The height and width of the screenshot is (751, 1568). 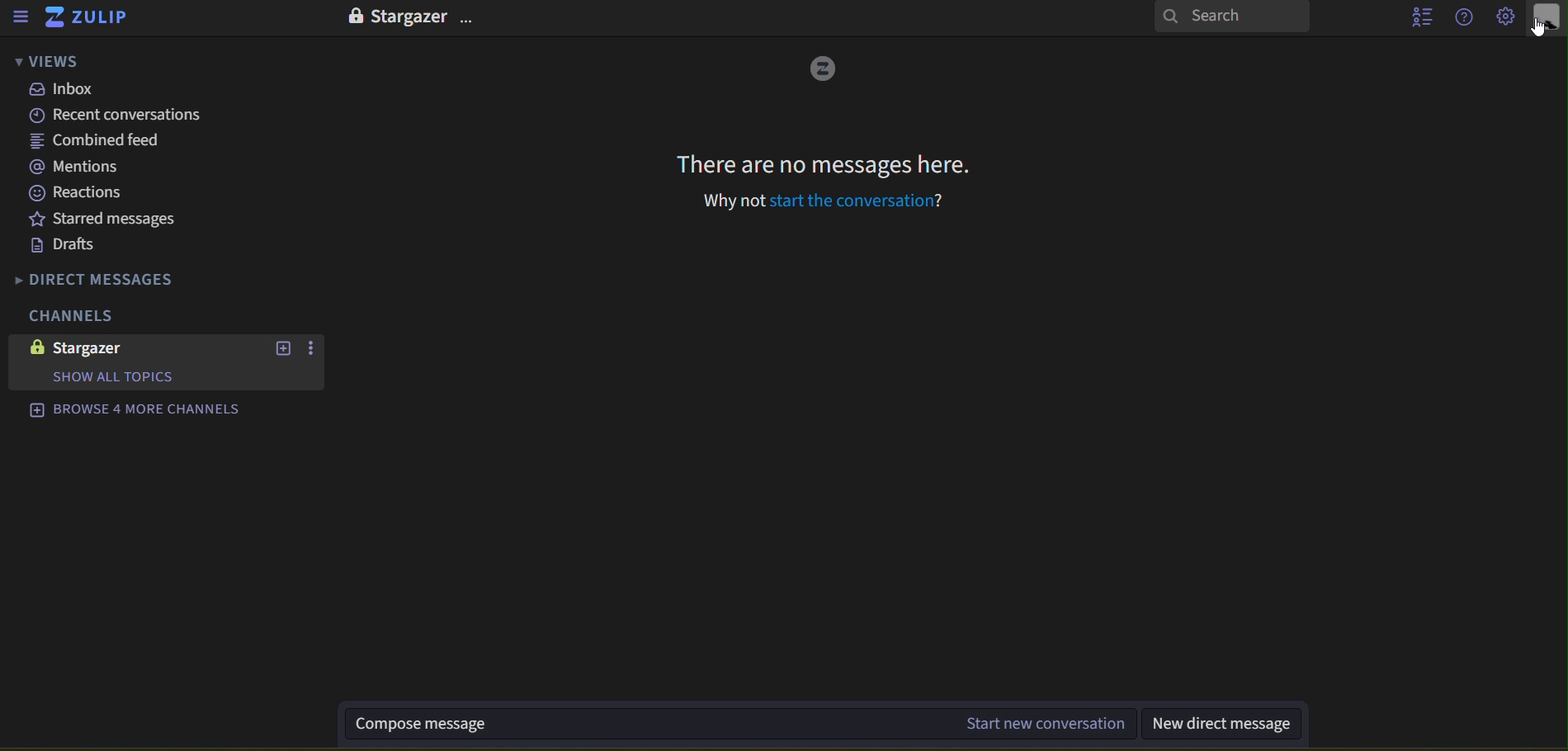 What do you see at coordinates (1415, 17) in the screenshot?
I see `hide user list` at bounding box center [1415, 17].